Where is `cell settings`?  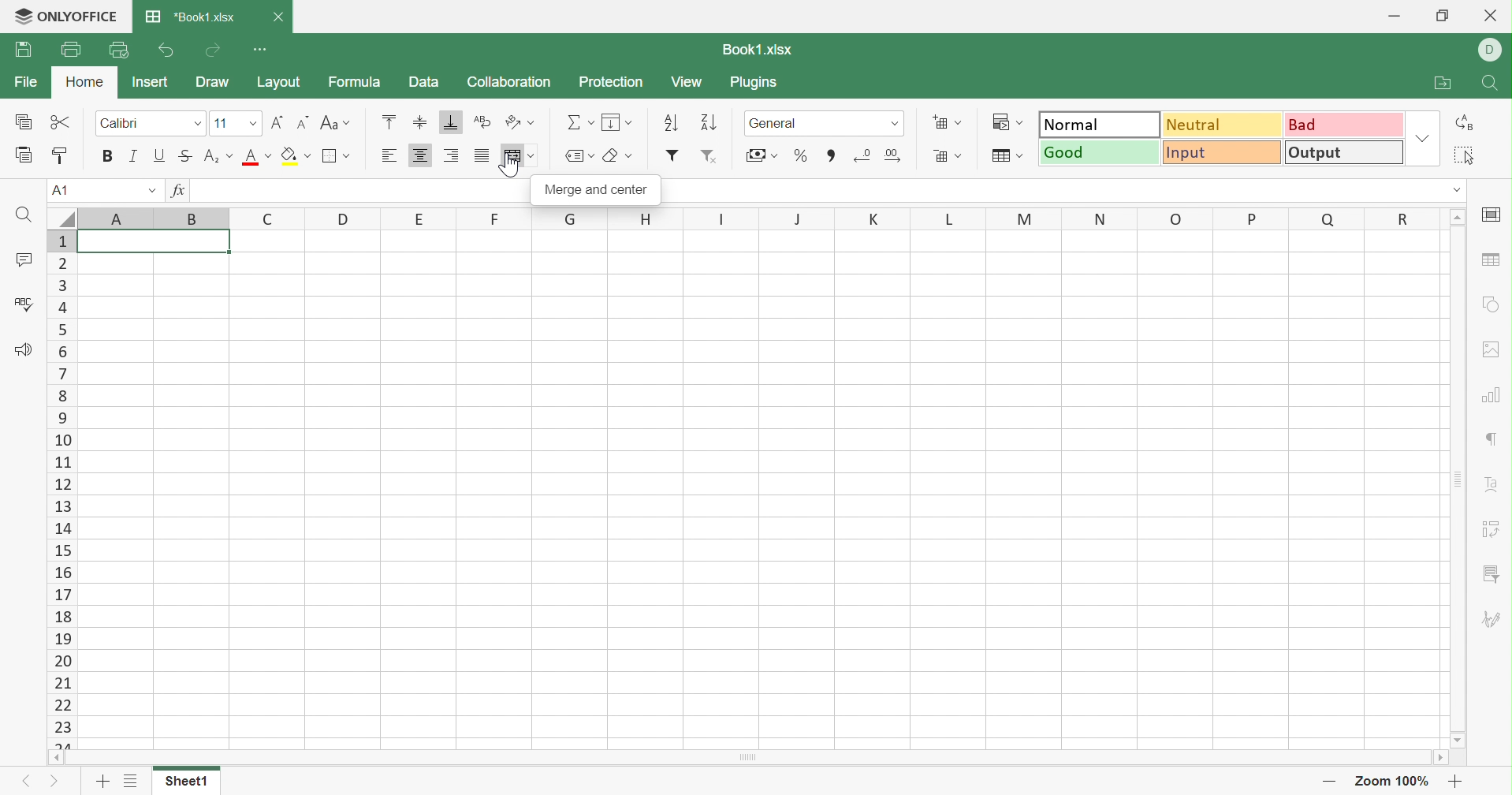
cell settings is located at coordinates (1495, 214).